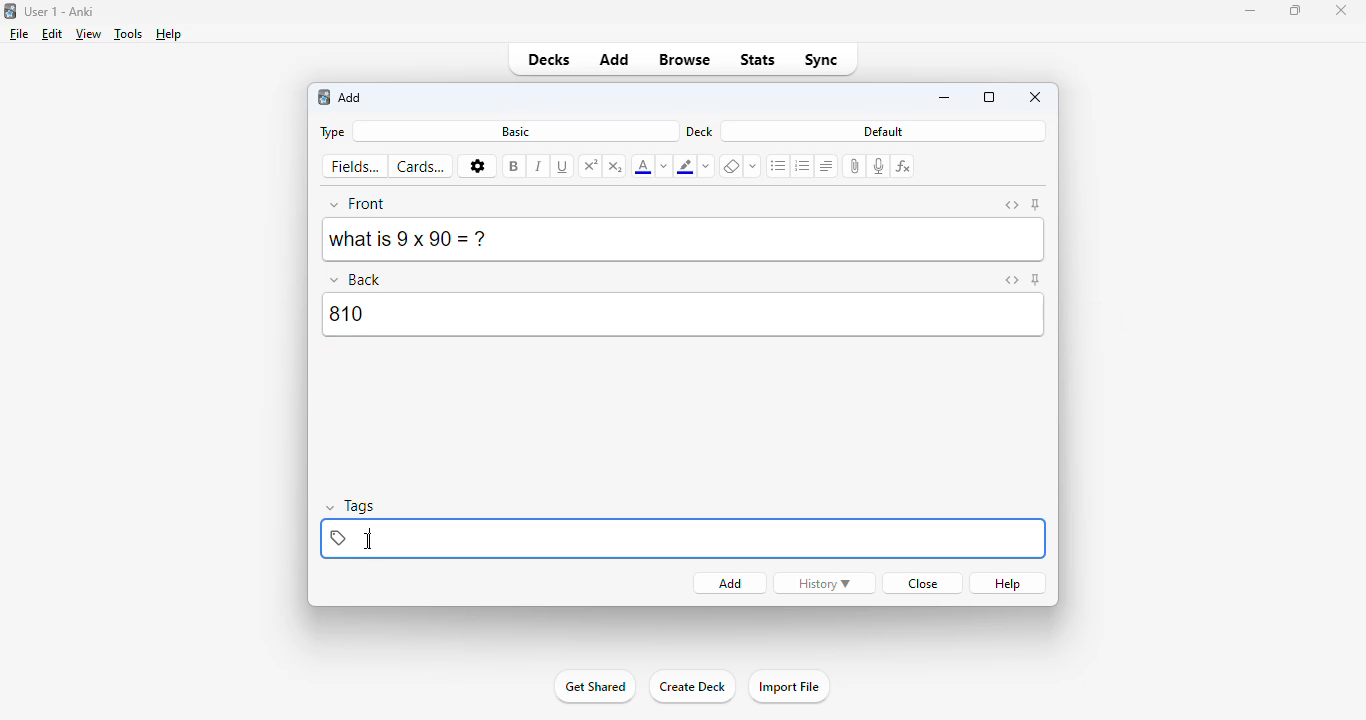 The height and width of the screenshot is (720, 1366). I want to click on 810, so click(685, 315).